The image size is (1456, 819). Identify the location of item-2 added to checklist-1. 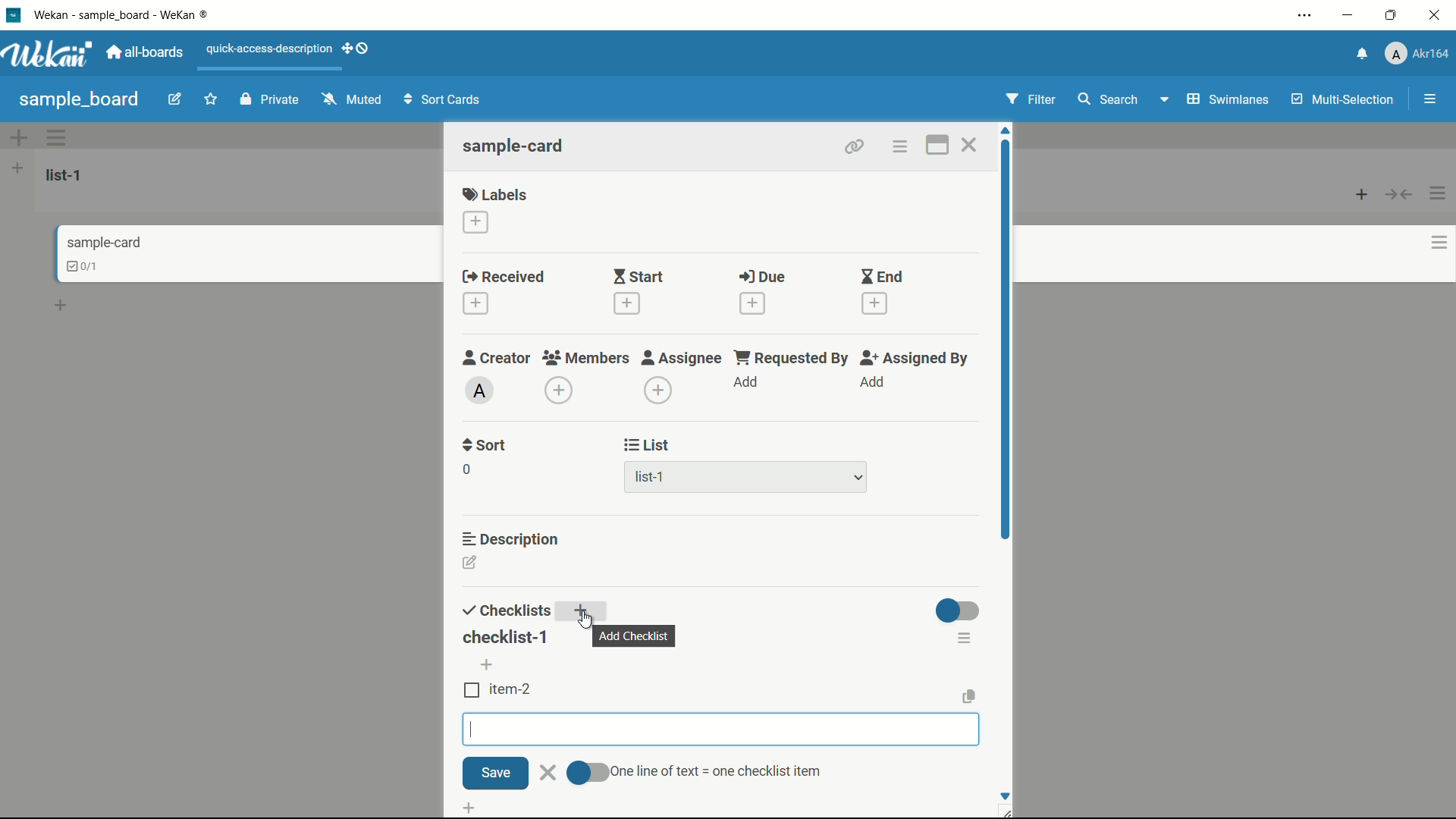
(498, 689).